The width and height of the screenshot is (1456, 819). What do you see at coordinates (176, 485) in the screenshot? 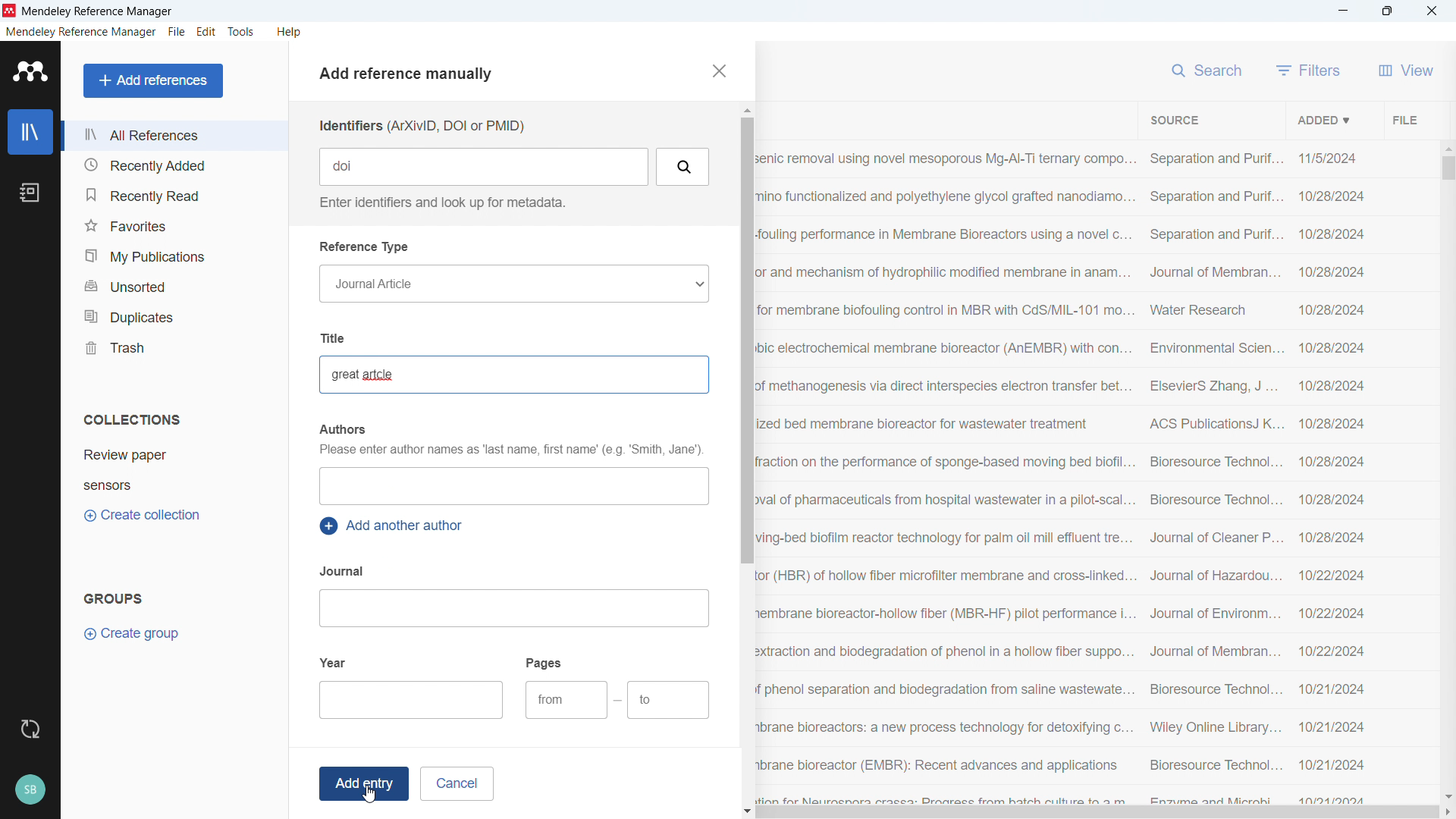
I see `Collection 2 ` at bounding box center [176, 485].